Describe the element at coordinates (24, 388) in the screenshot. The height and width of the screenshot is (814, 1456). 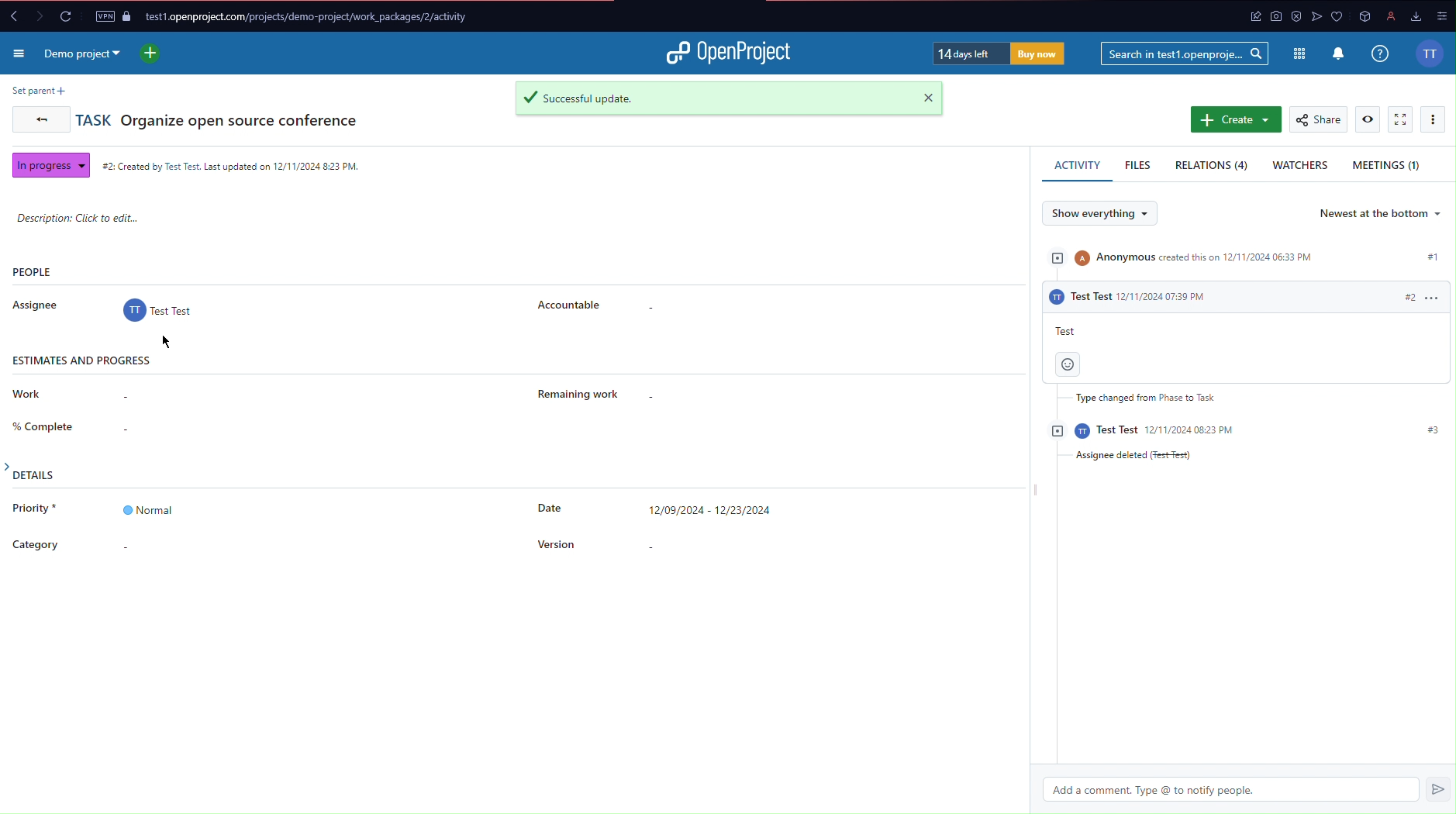
I see `Work` at that location.